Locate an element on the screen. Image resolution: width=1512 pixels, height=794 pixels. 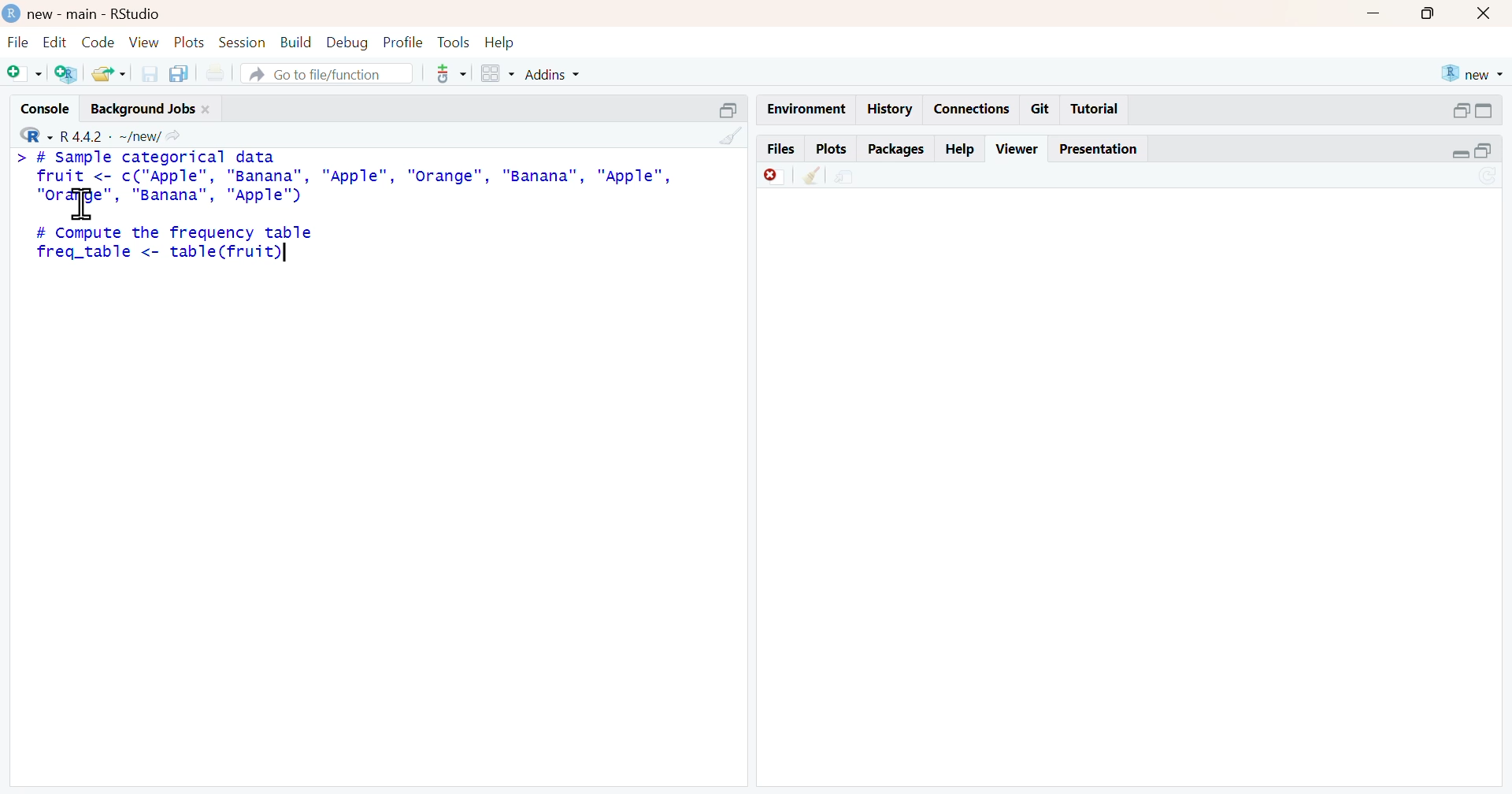
console is located at coordinates (45, 106).